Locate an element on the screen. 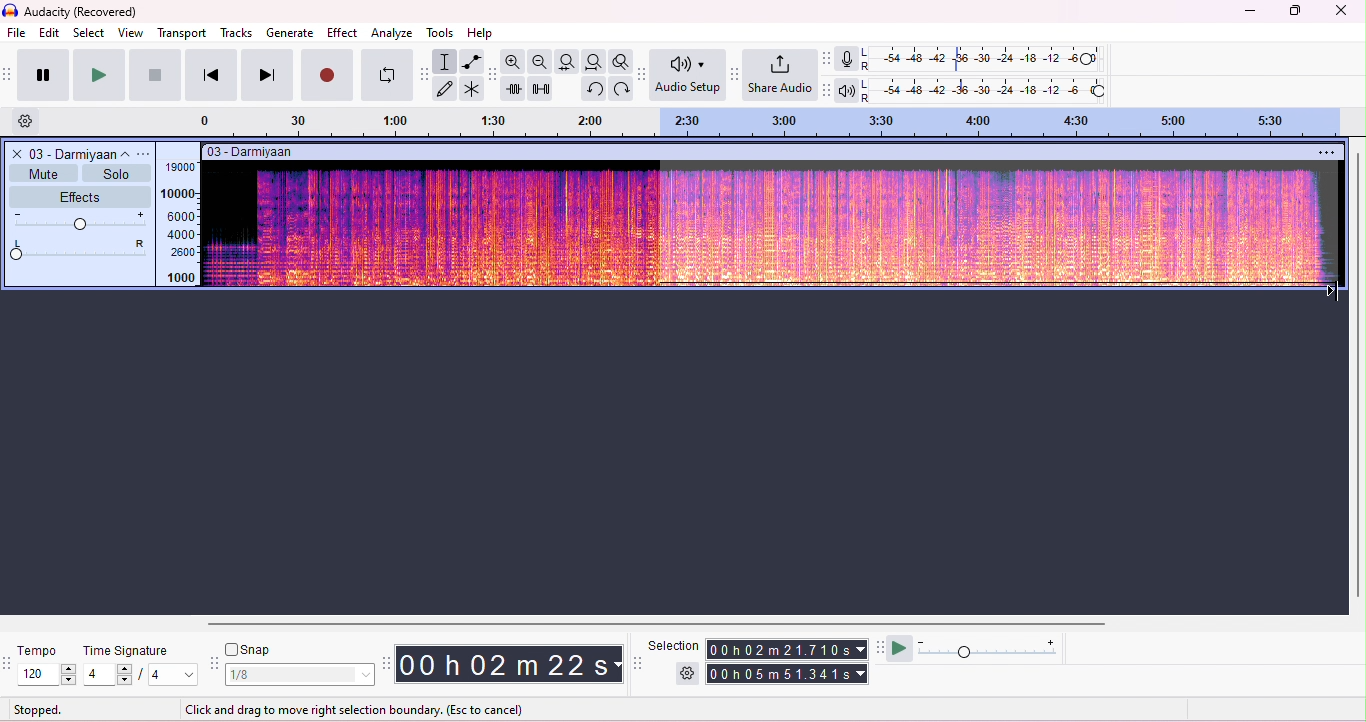 This screenshot has height=722, width=1366. next is located at coordinates (266, 75).